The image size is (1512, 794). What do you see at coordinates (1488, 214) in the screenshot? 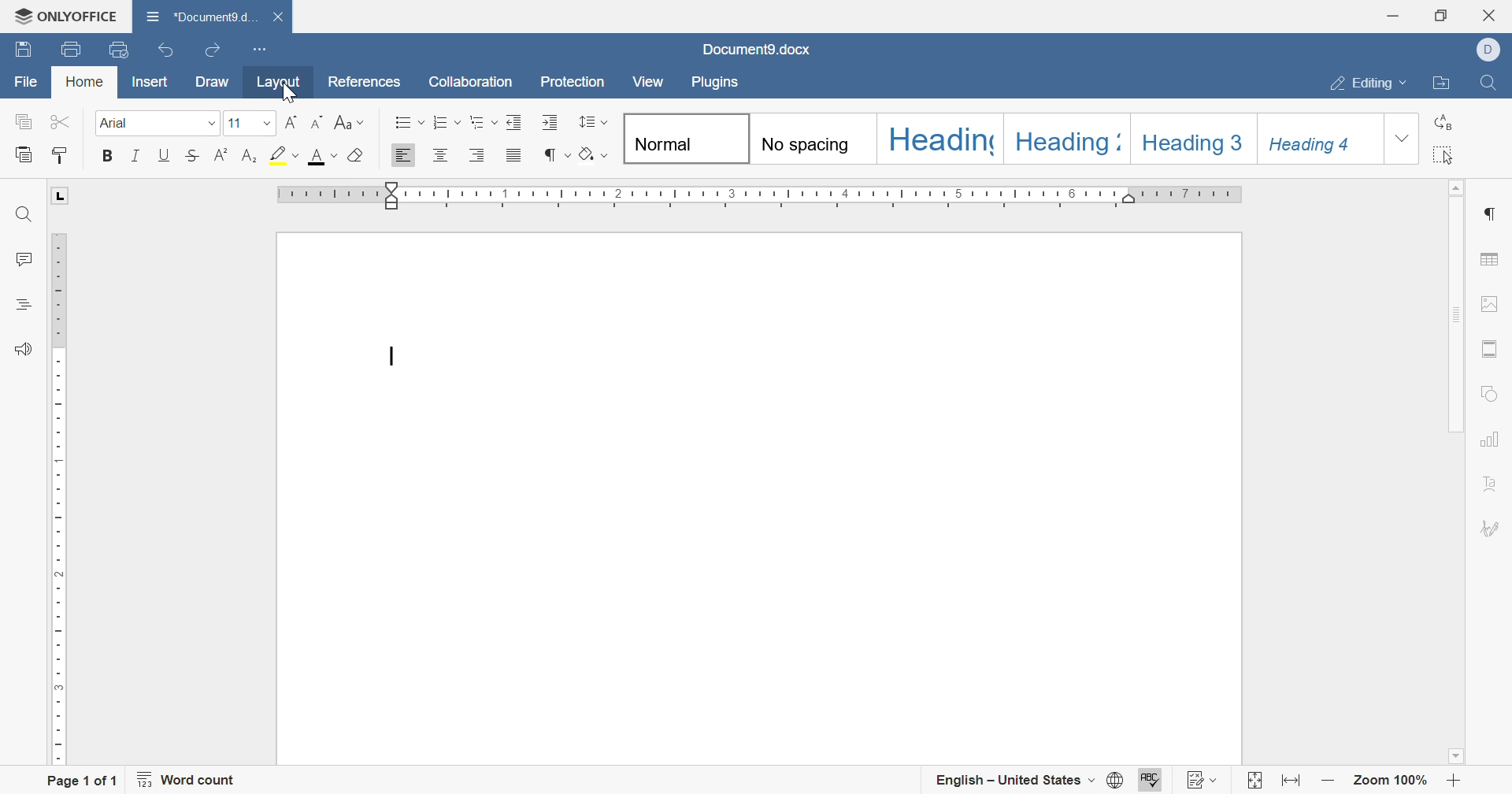
I see `paragraph settings` at bounding box center [1488, 214].